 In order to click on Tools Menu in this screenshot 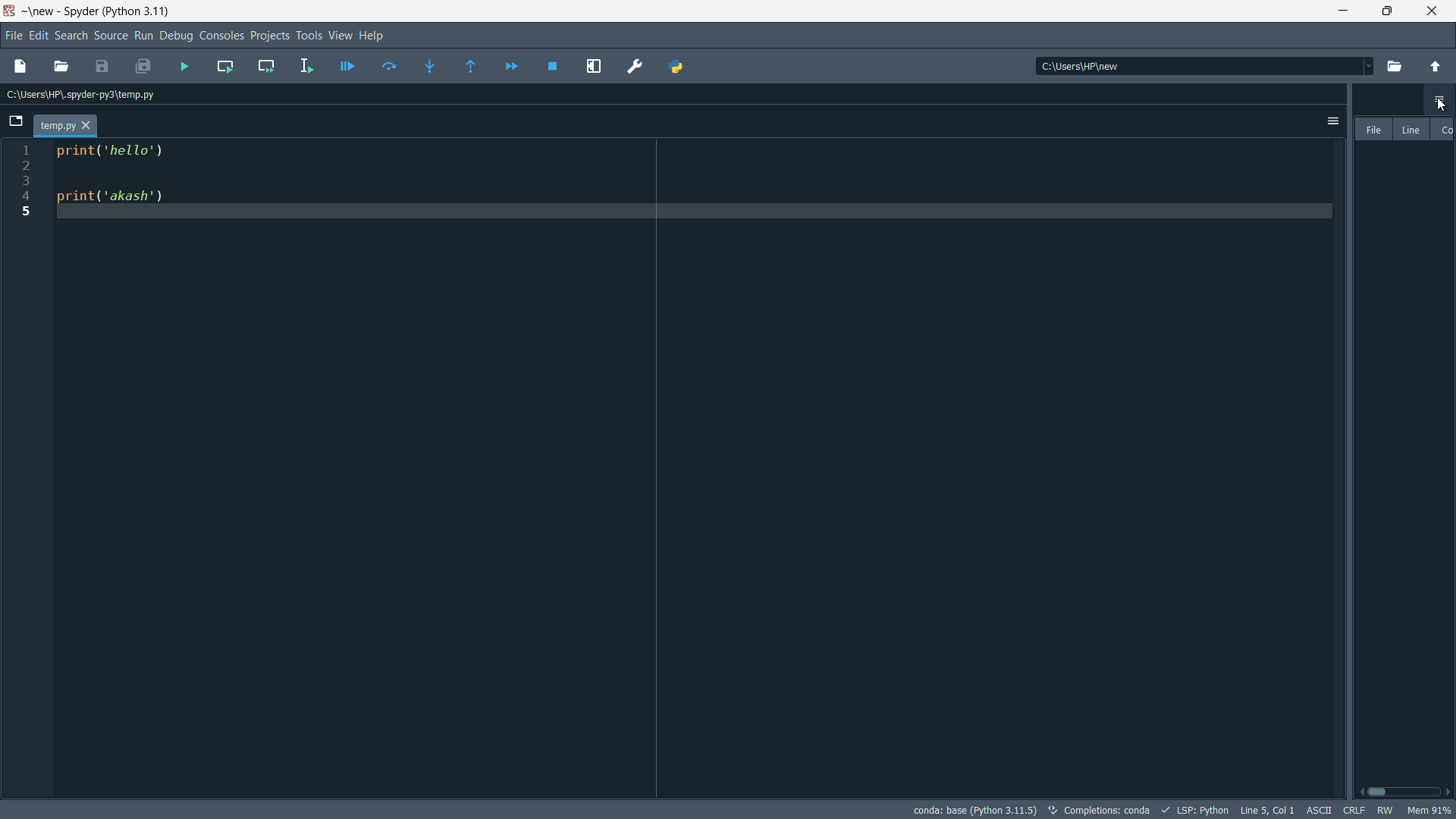, I will do `click(309, 35)`.